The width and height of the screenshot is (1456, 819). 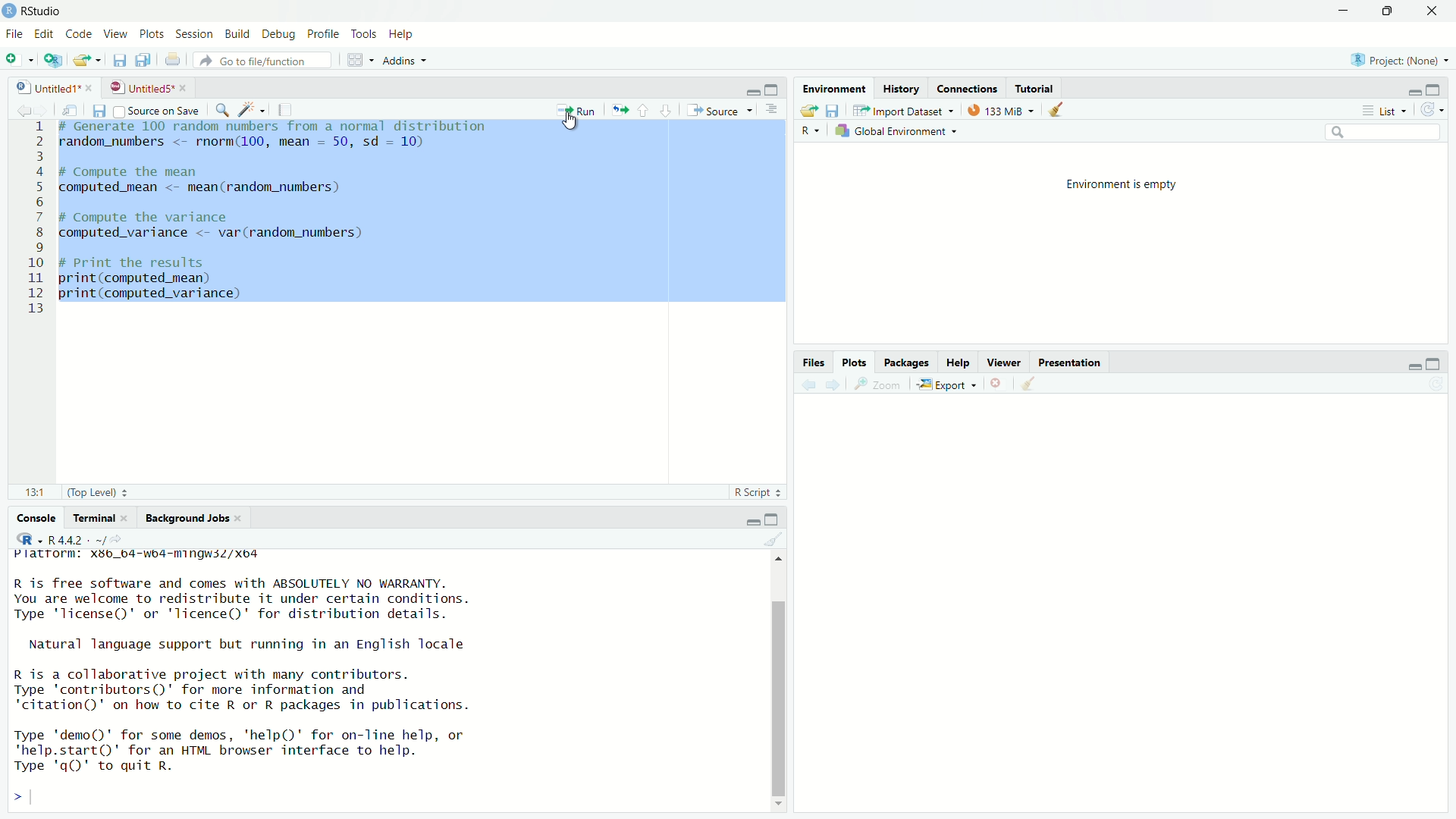 What do you see at coordinates (1441, 362) in the screenshot?
I see `maximize` at bounding box center [1441, 362].